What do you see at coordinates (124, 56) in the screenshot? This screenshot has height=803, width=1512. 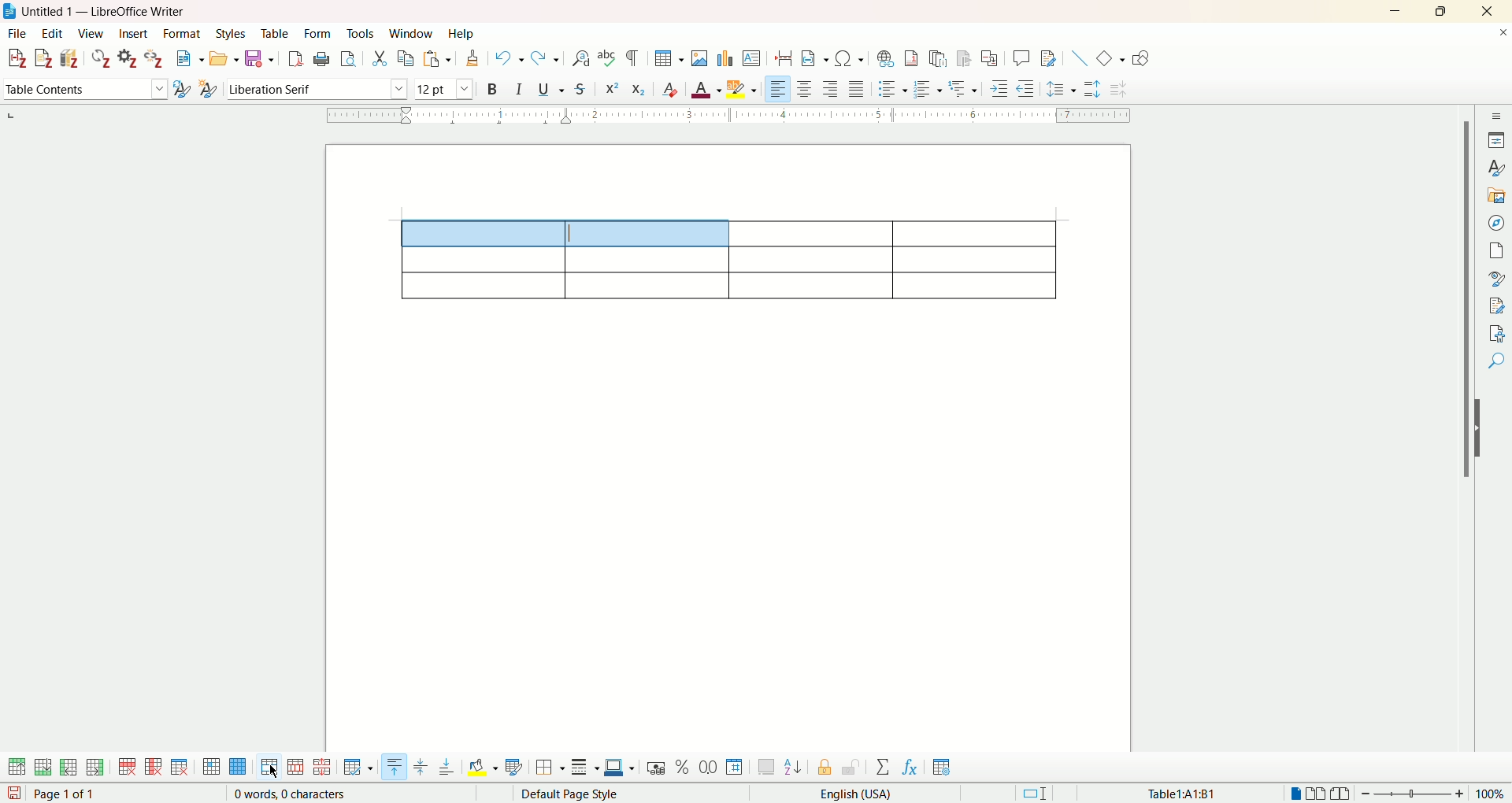 I see `document preferences` at bounding box center [124, 56].